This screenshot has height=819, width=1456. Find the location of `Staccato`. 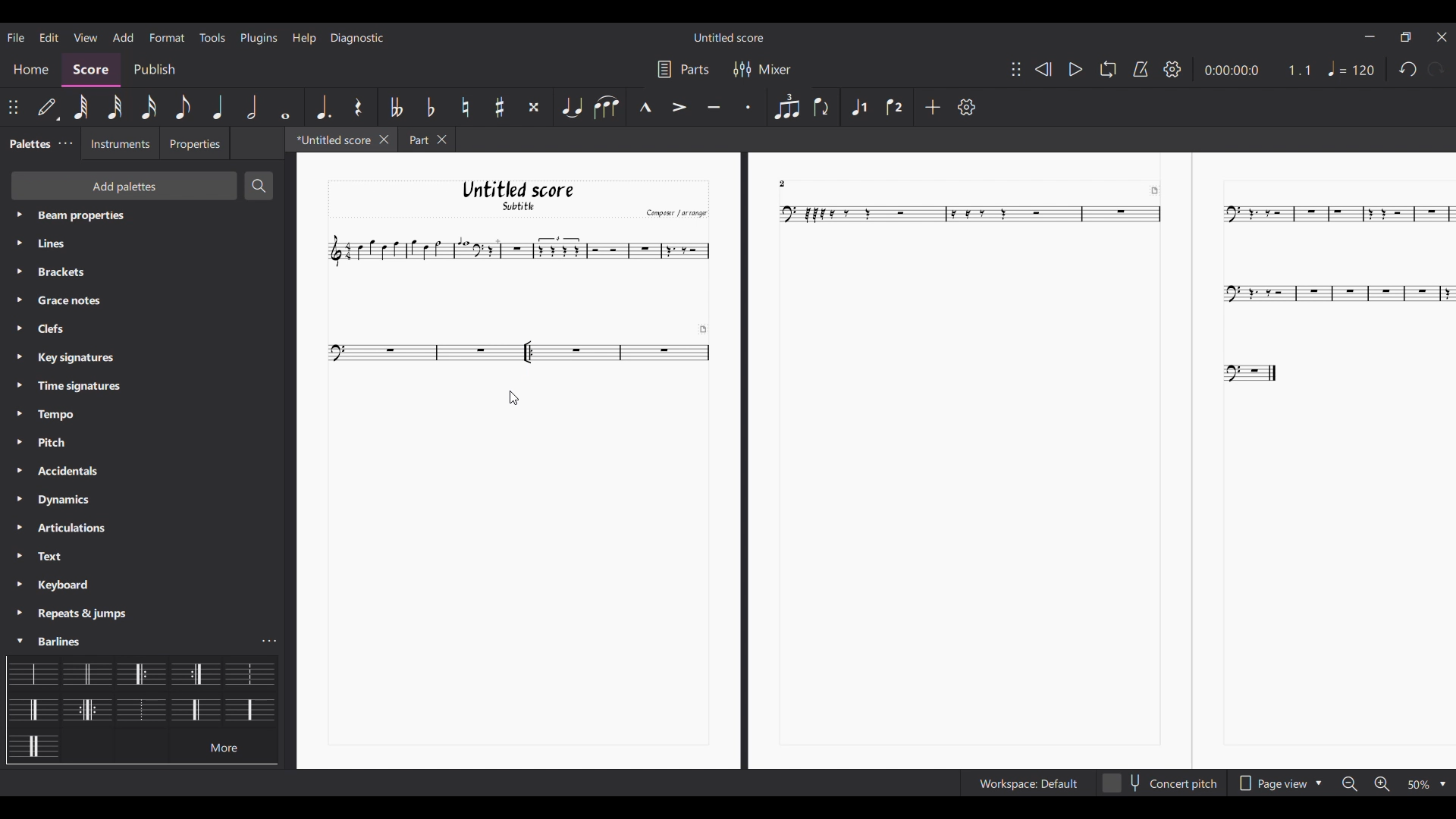

Staccato is located at coordinates (748, 108).